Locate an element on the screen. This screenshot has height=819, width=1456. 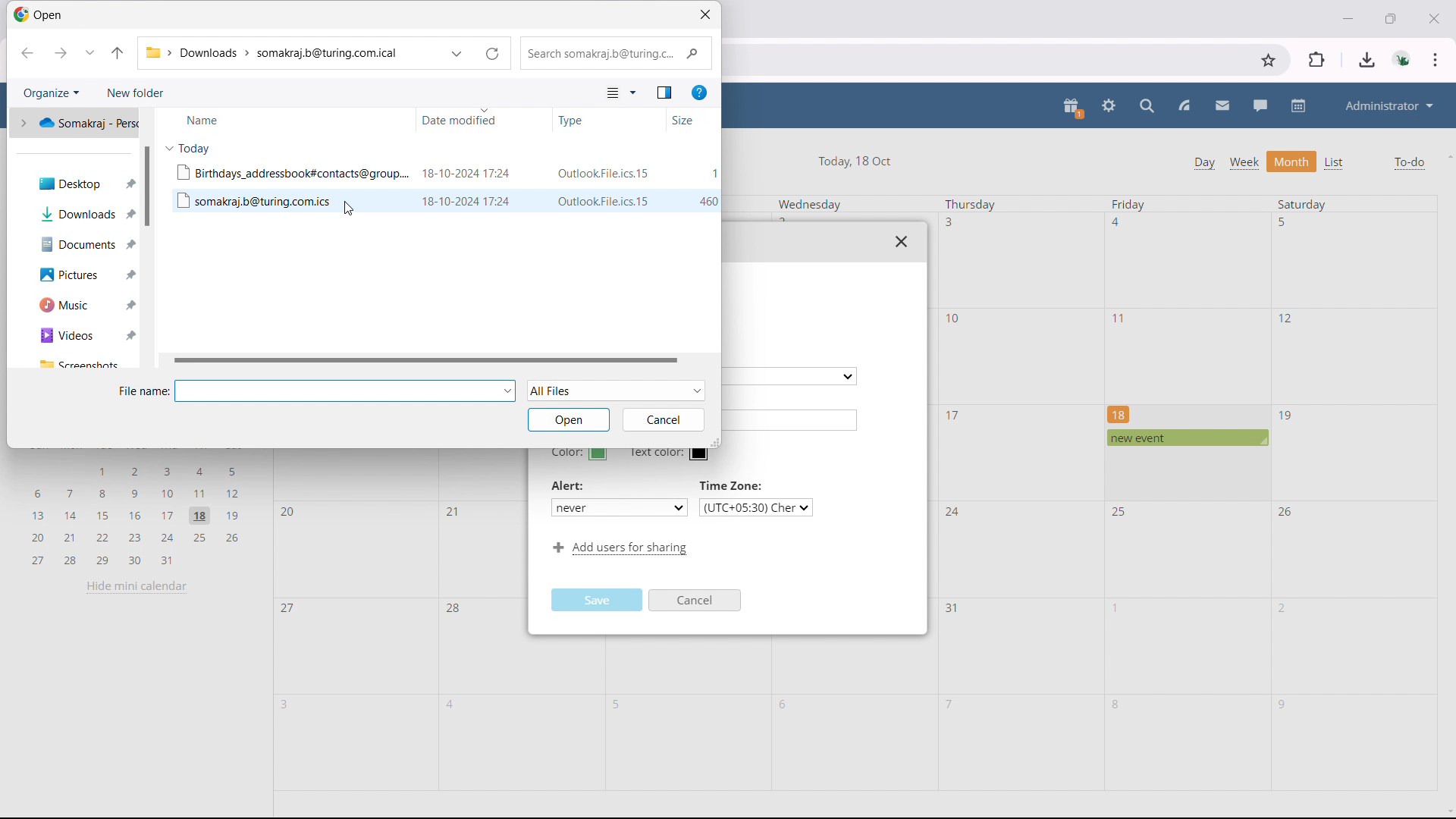
Desktop is located at coordinates (77, 180).